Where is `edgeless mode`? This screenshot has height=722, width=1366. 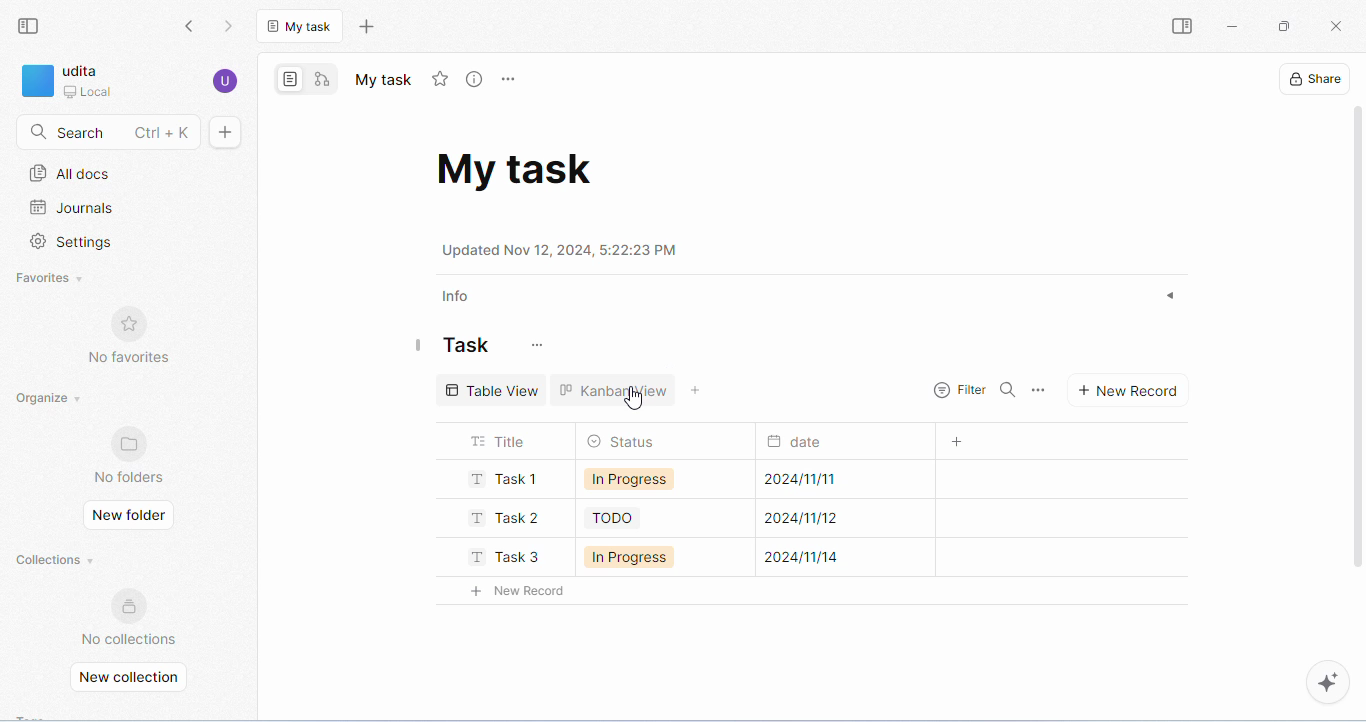
edgeless mode is located at coordinates (324, 81).